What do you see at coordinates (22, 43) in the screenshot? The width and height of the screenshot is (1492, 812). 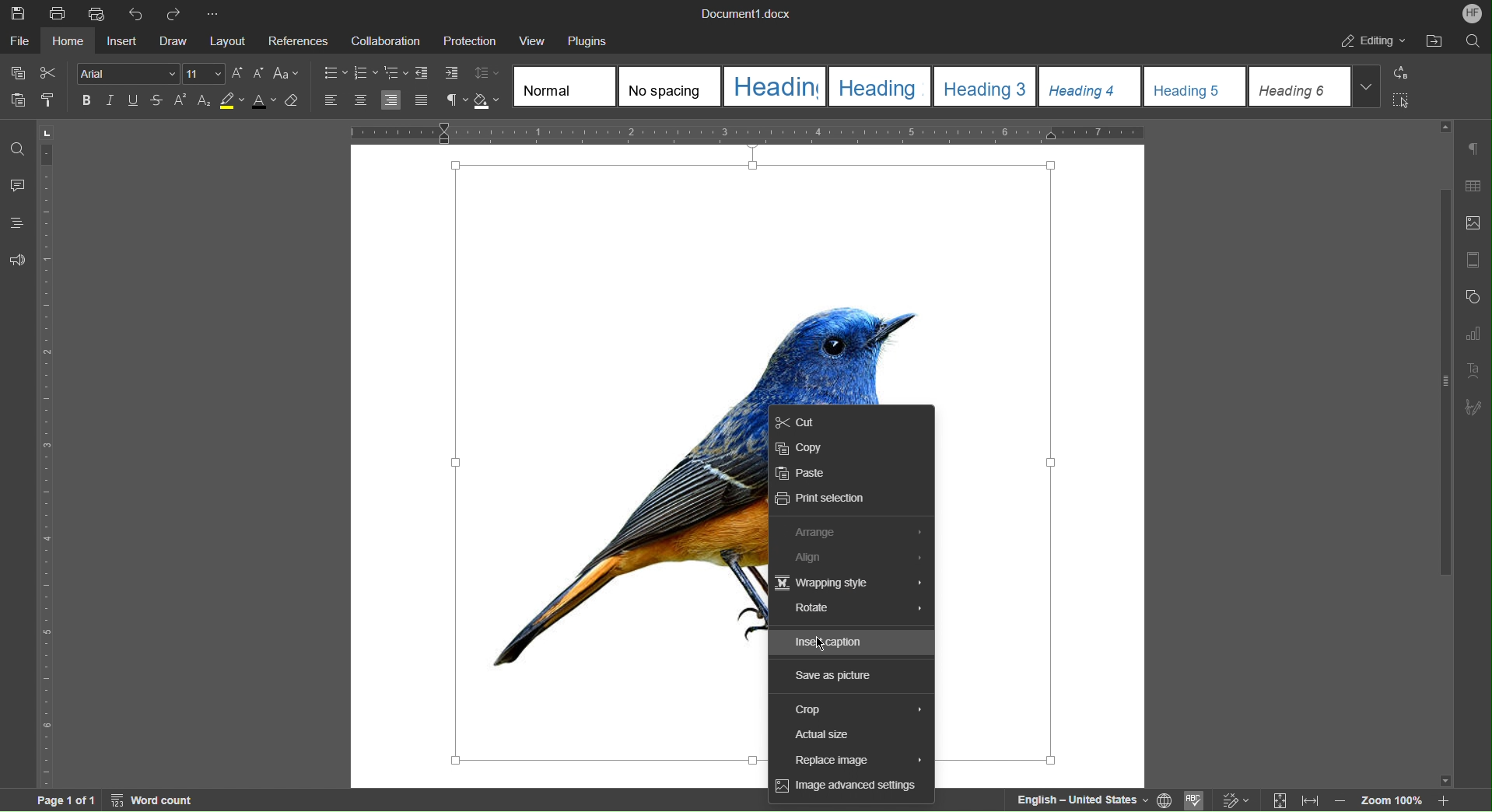 I see `File` at bounding box center [22, 43].